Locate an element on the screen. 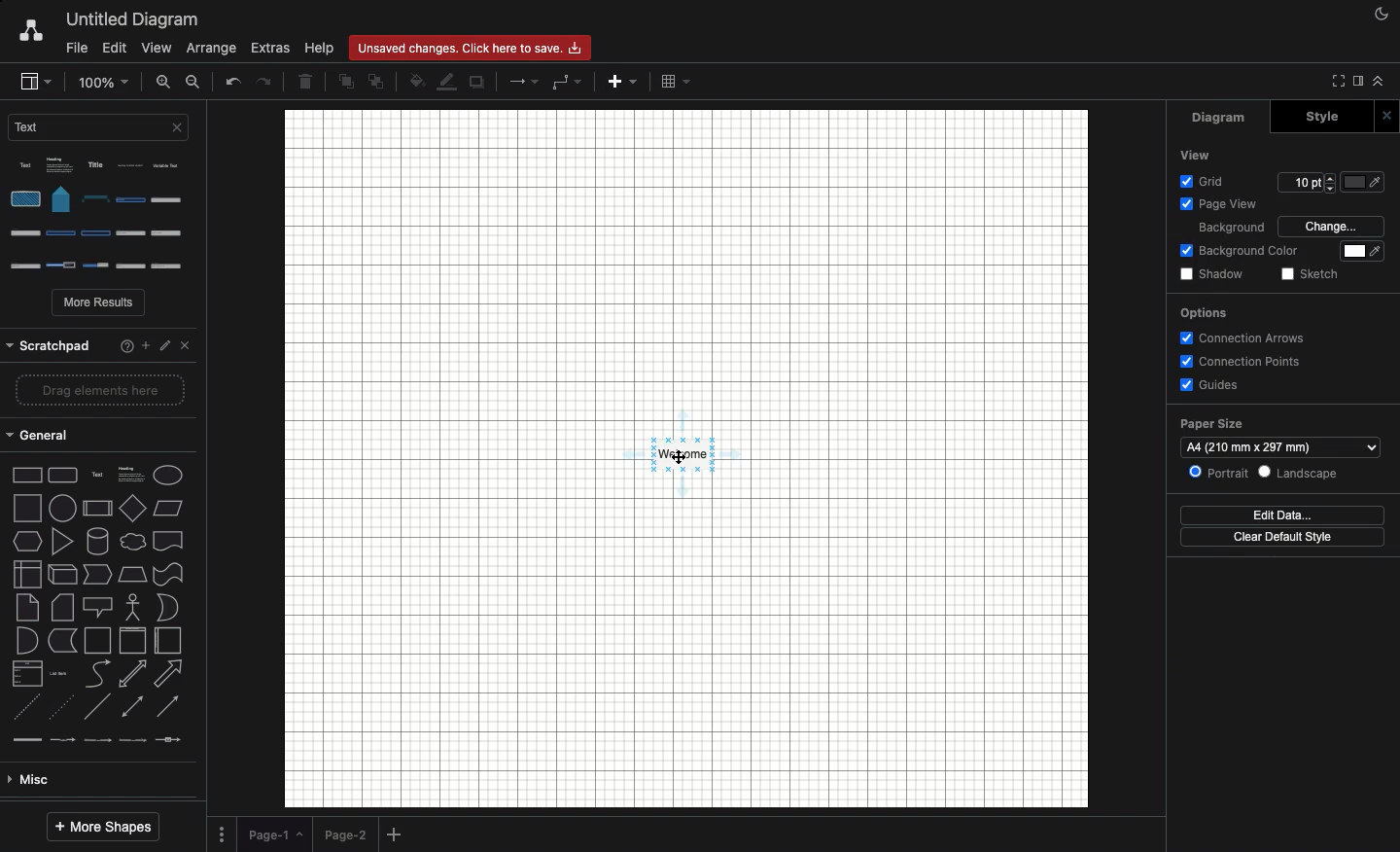  Click is located at coordinates (682, 458).